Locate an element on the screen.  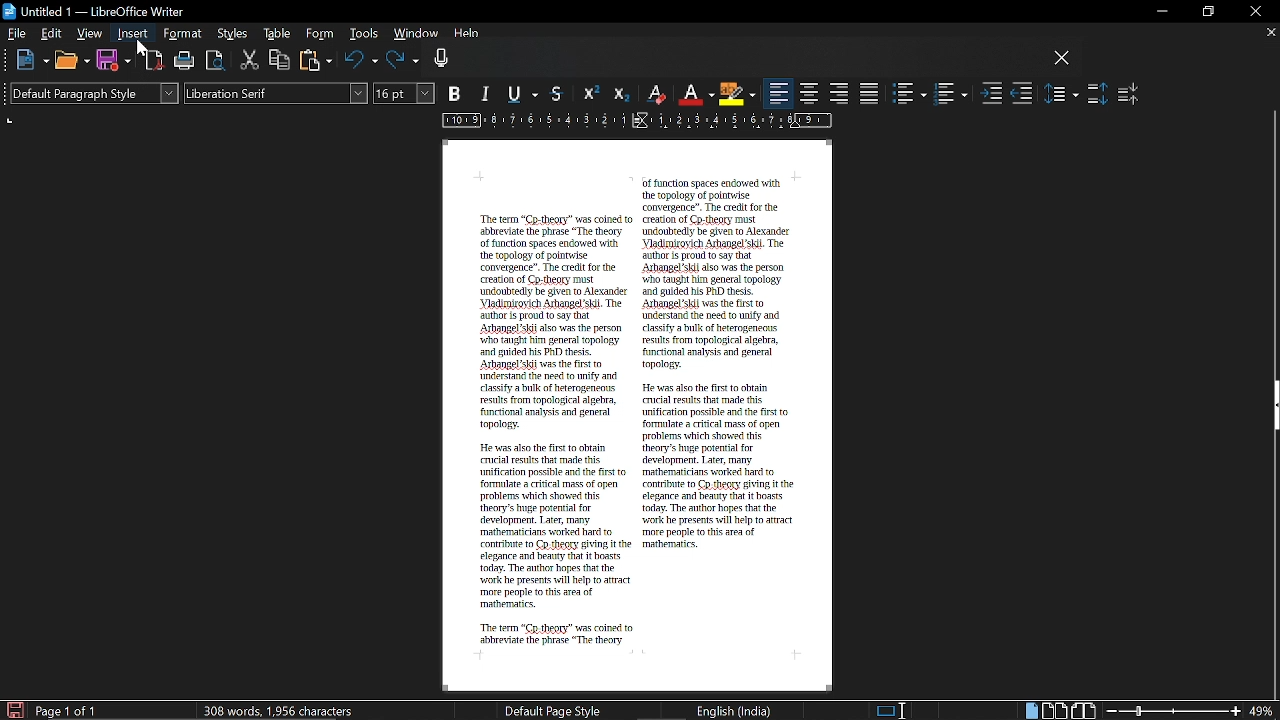
Paragraph style is located at coordinates (91, 93).